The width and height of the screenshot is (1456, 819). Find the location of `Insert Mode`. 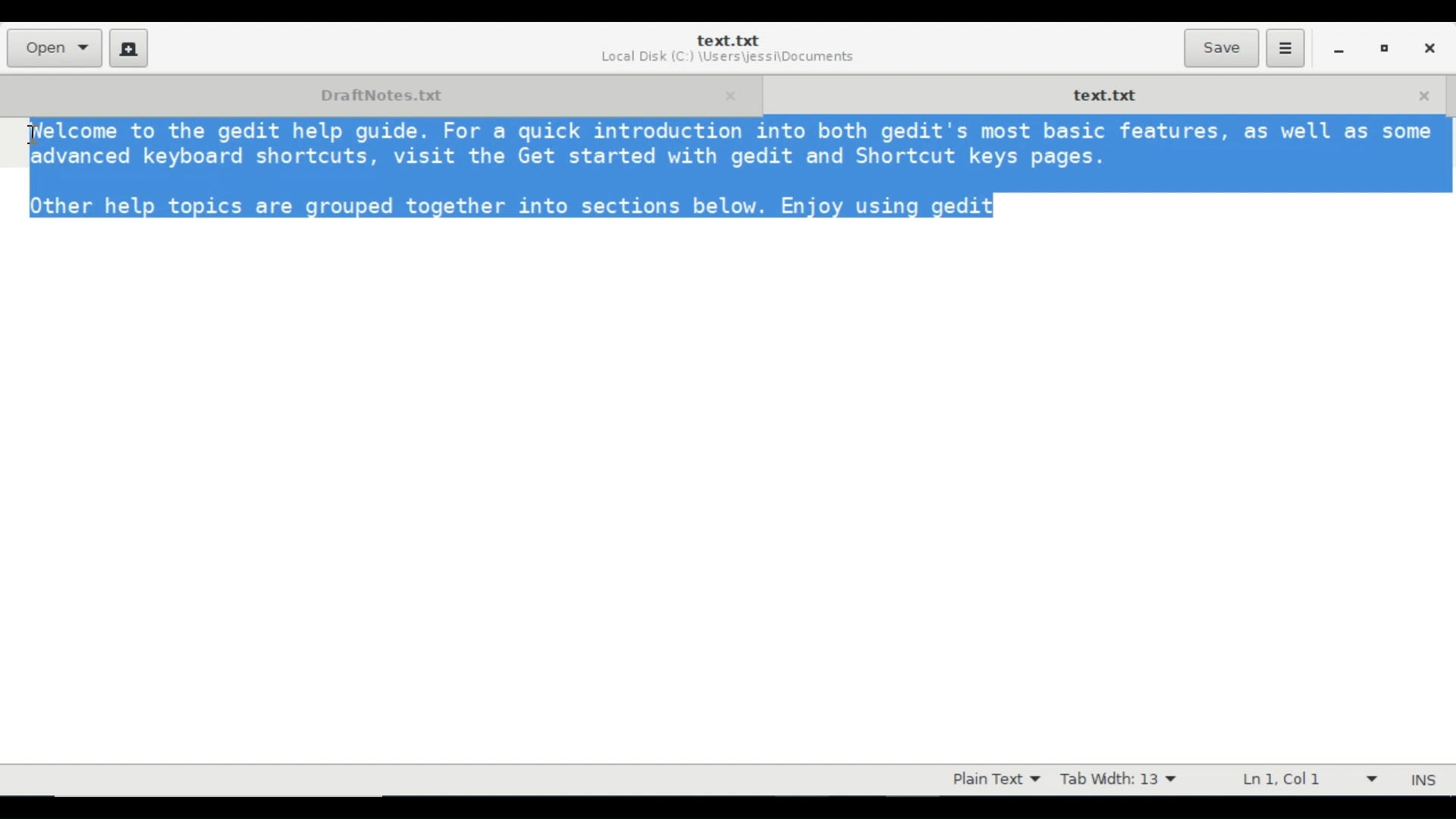

Insert Mode is located at coordinates (1426, 780).